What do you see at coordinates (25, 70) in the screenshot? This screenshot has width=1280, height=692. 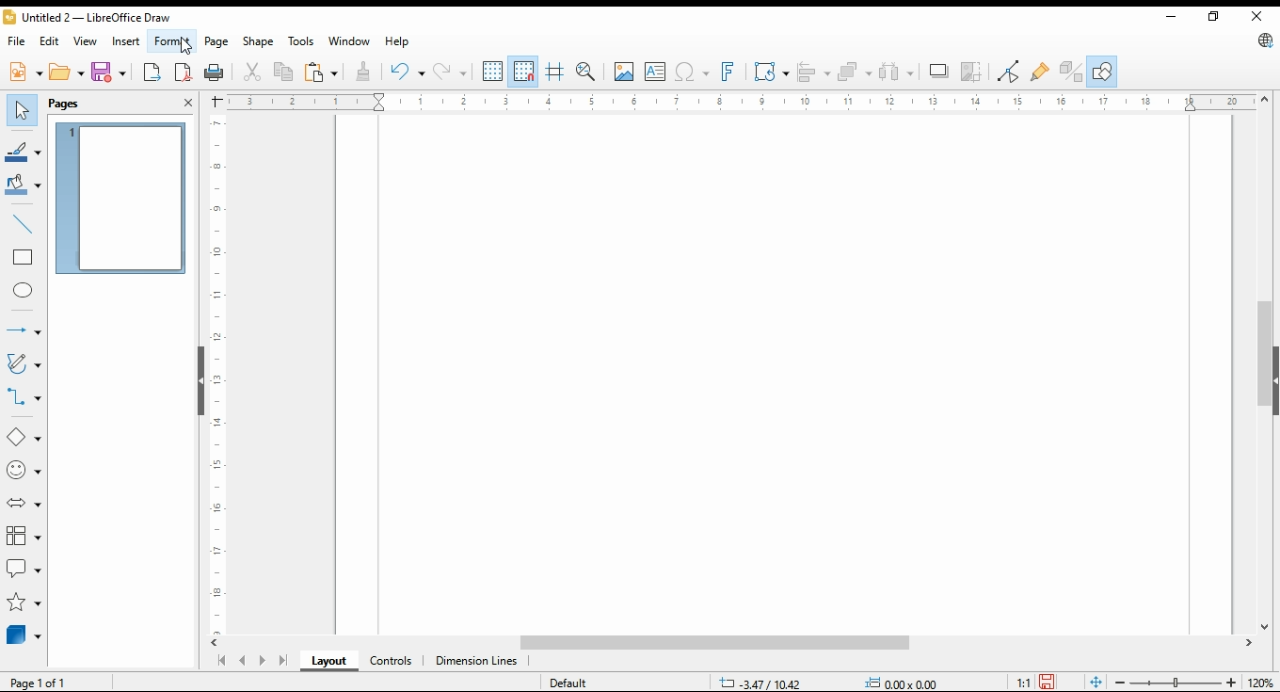 I see `new` at bounding box center [25, 70].